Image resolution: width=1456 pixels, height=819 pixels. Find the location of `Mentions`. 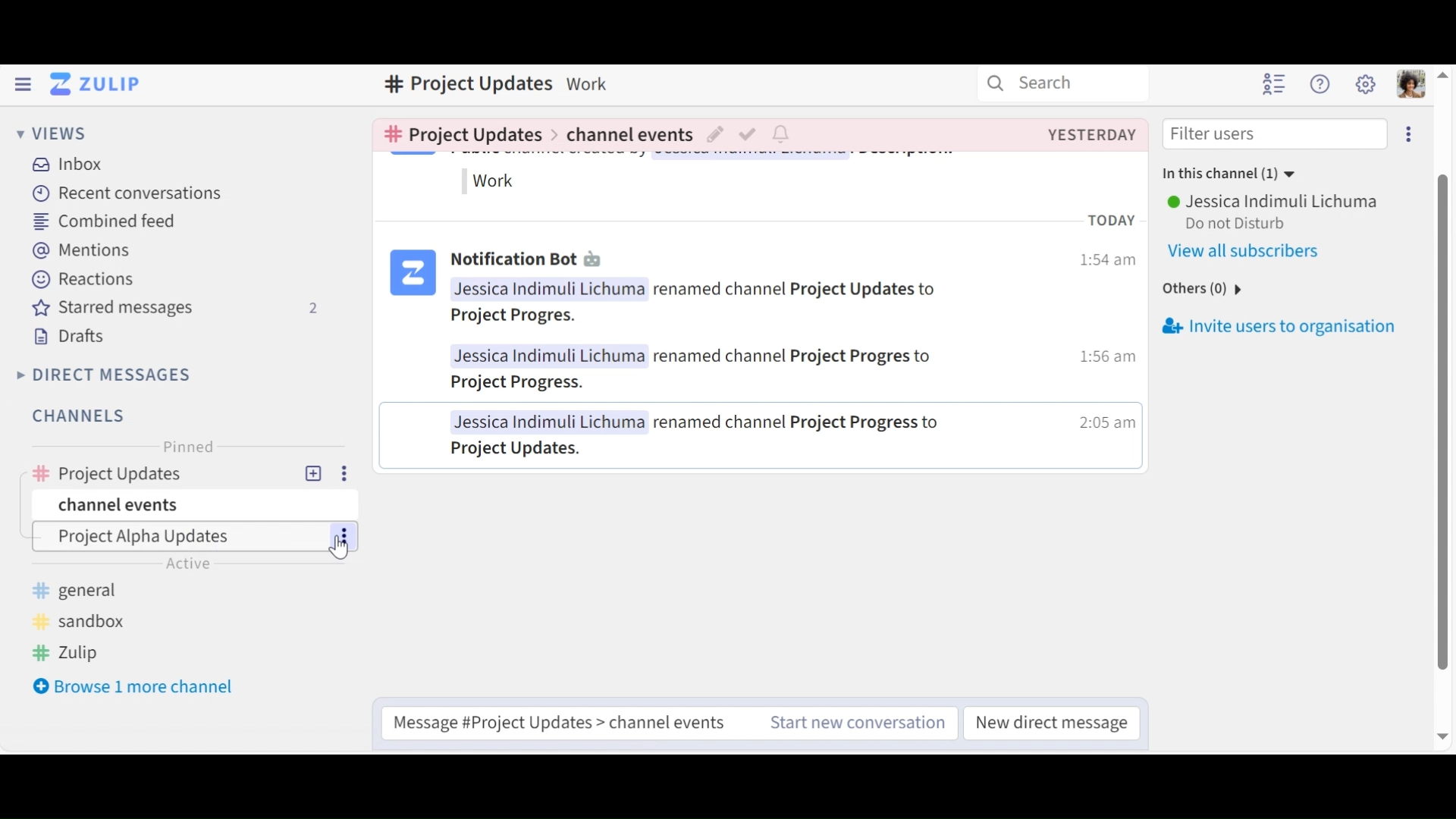

Mentions is located at coordinates (80, 249).